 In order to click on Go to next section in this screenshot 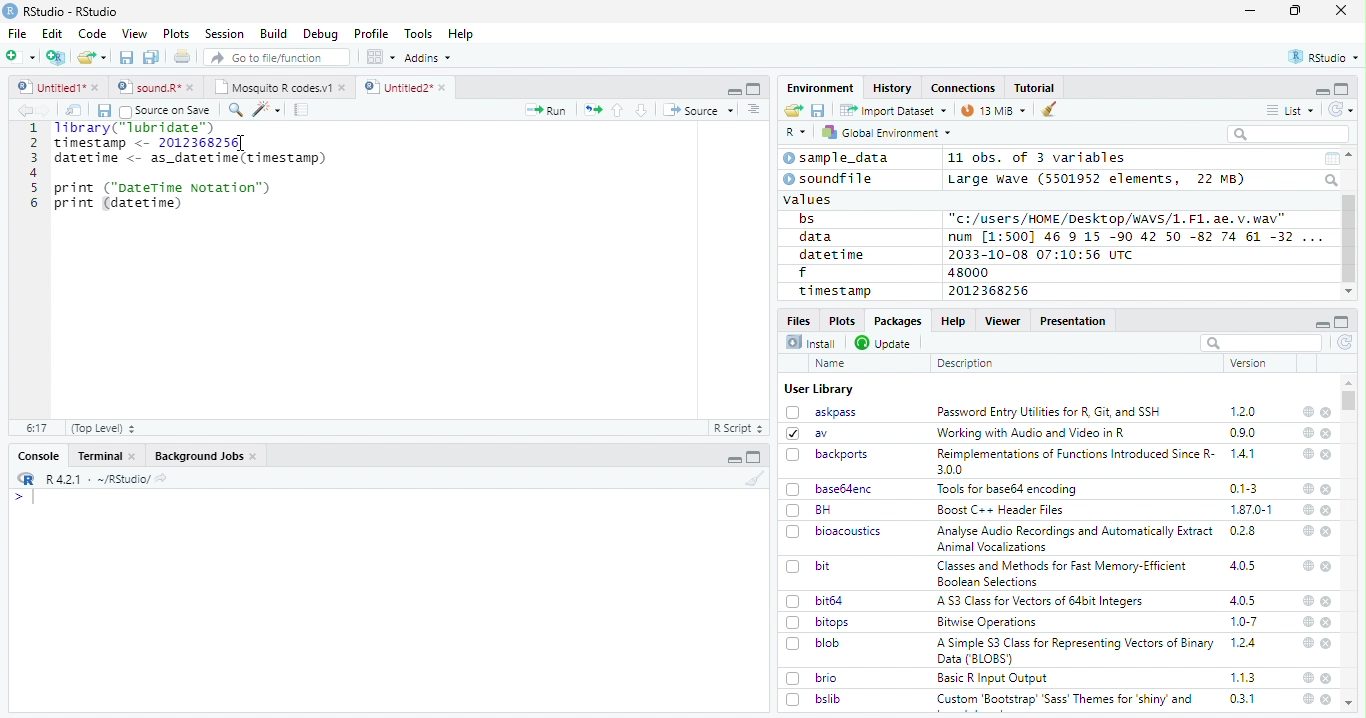, I will do `click(644, 110)`.